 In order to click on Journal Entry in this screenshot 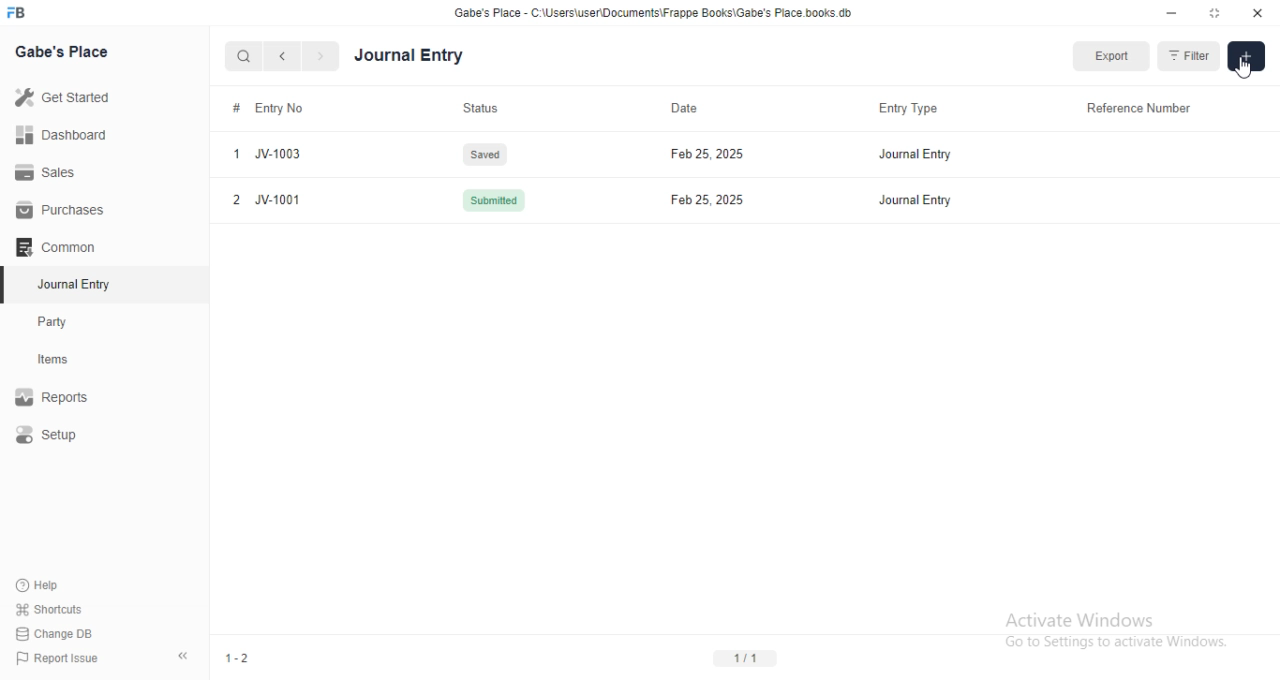, I will do `click(412, 55)`.